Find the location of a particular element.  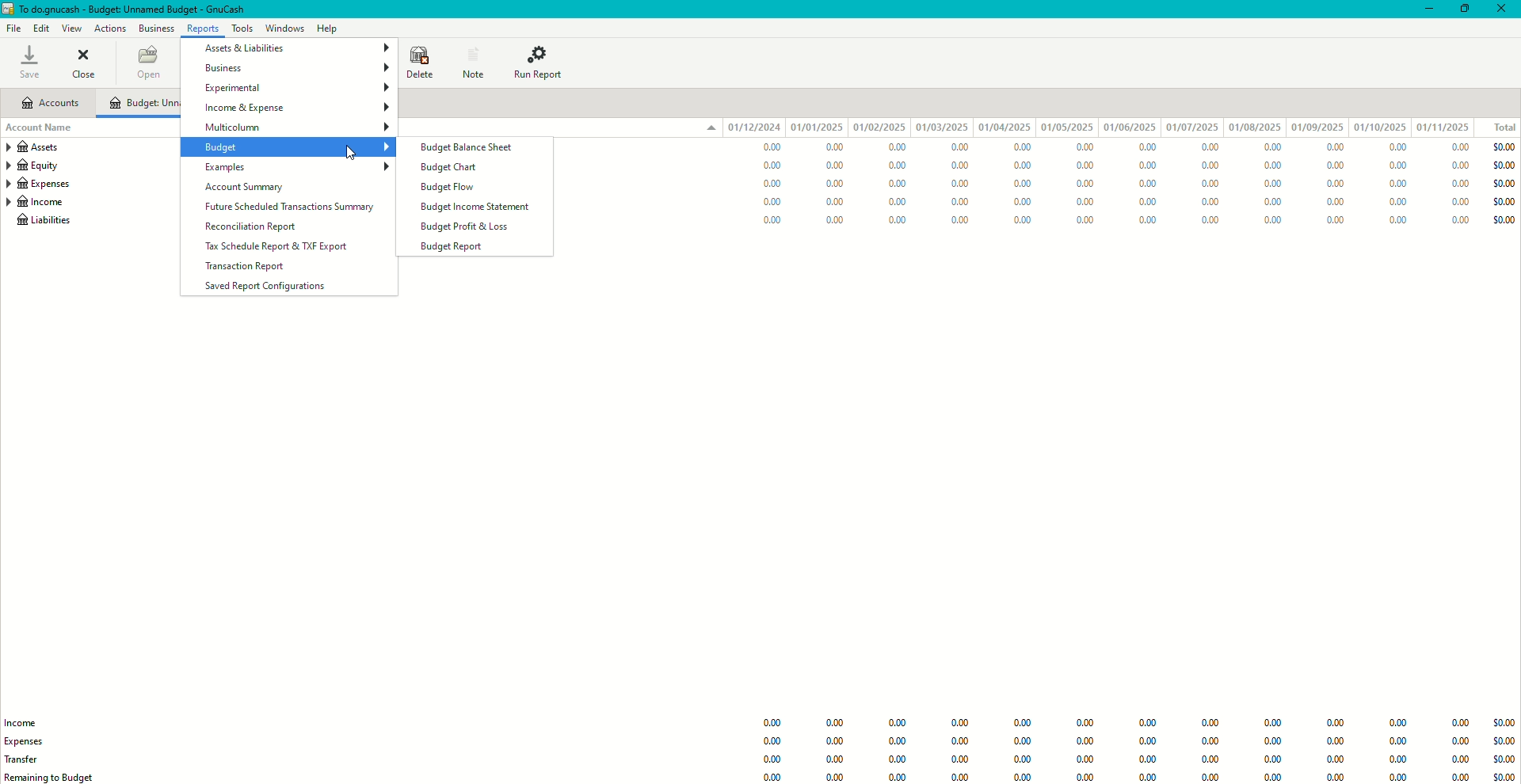

0.00 is located at coordinates (1022, 741).